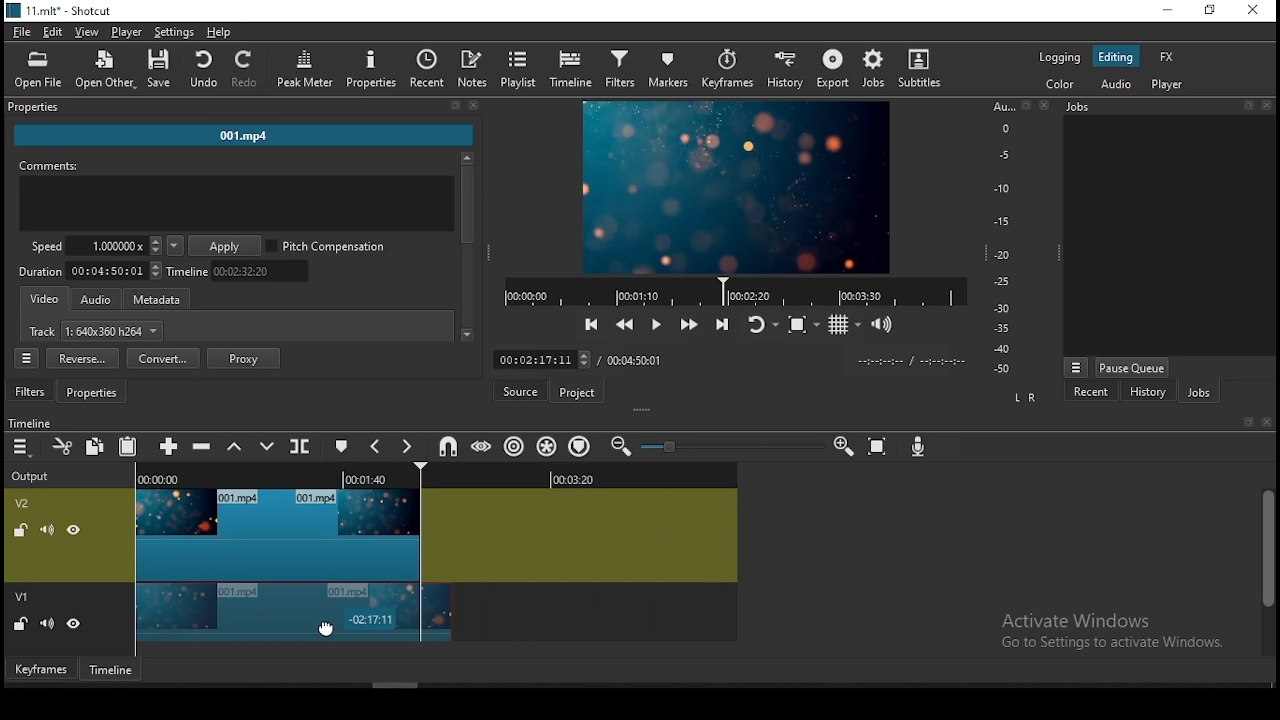 The image size is (1280, 720). I want to click on properties, so click(241, 108).